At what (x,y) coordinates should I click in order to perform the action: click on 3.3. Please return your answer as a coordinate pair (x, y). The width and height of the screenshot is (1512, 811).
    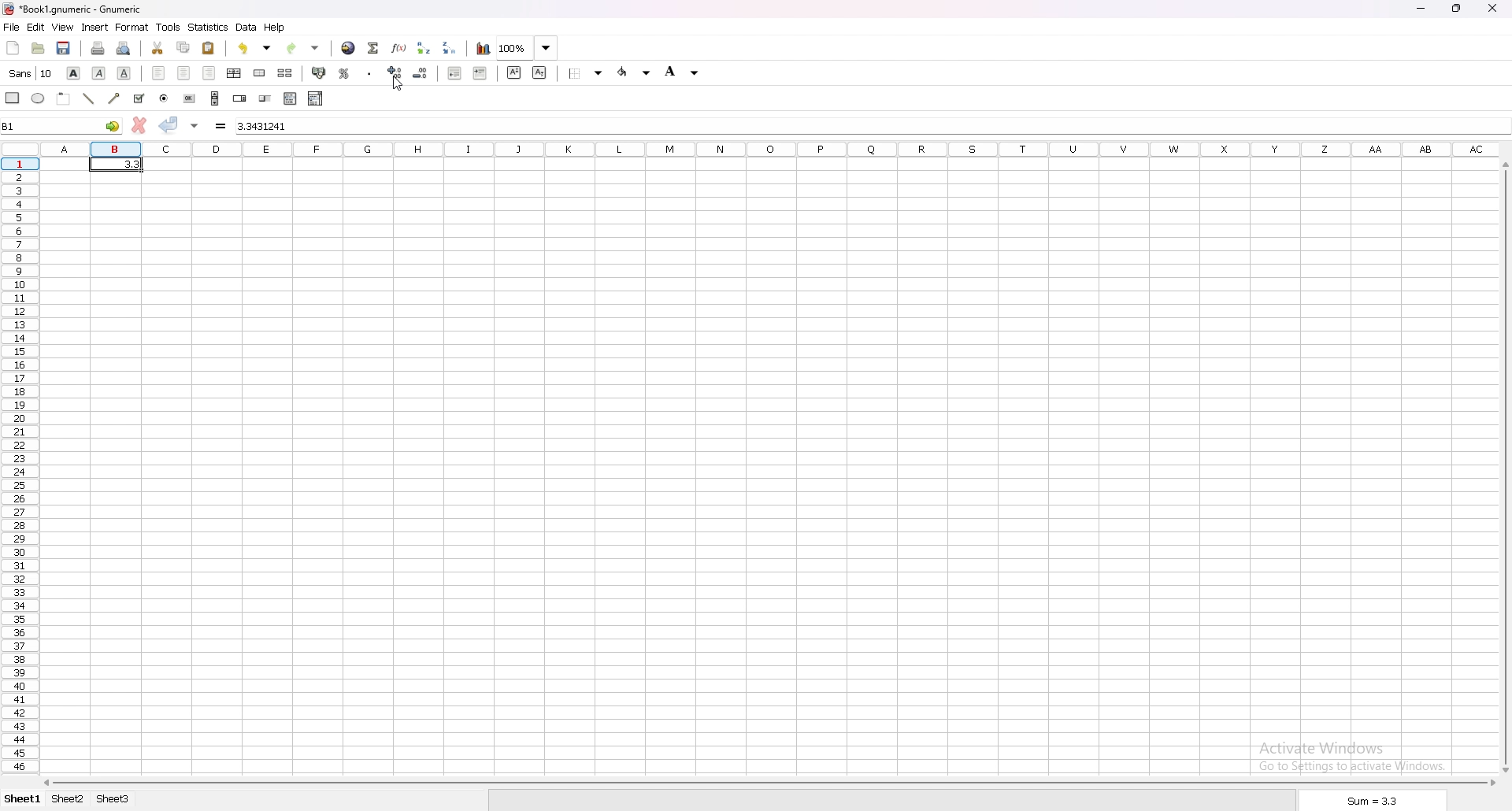
    Looking at the image, I should click on (128, 164).